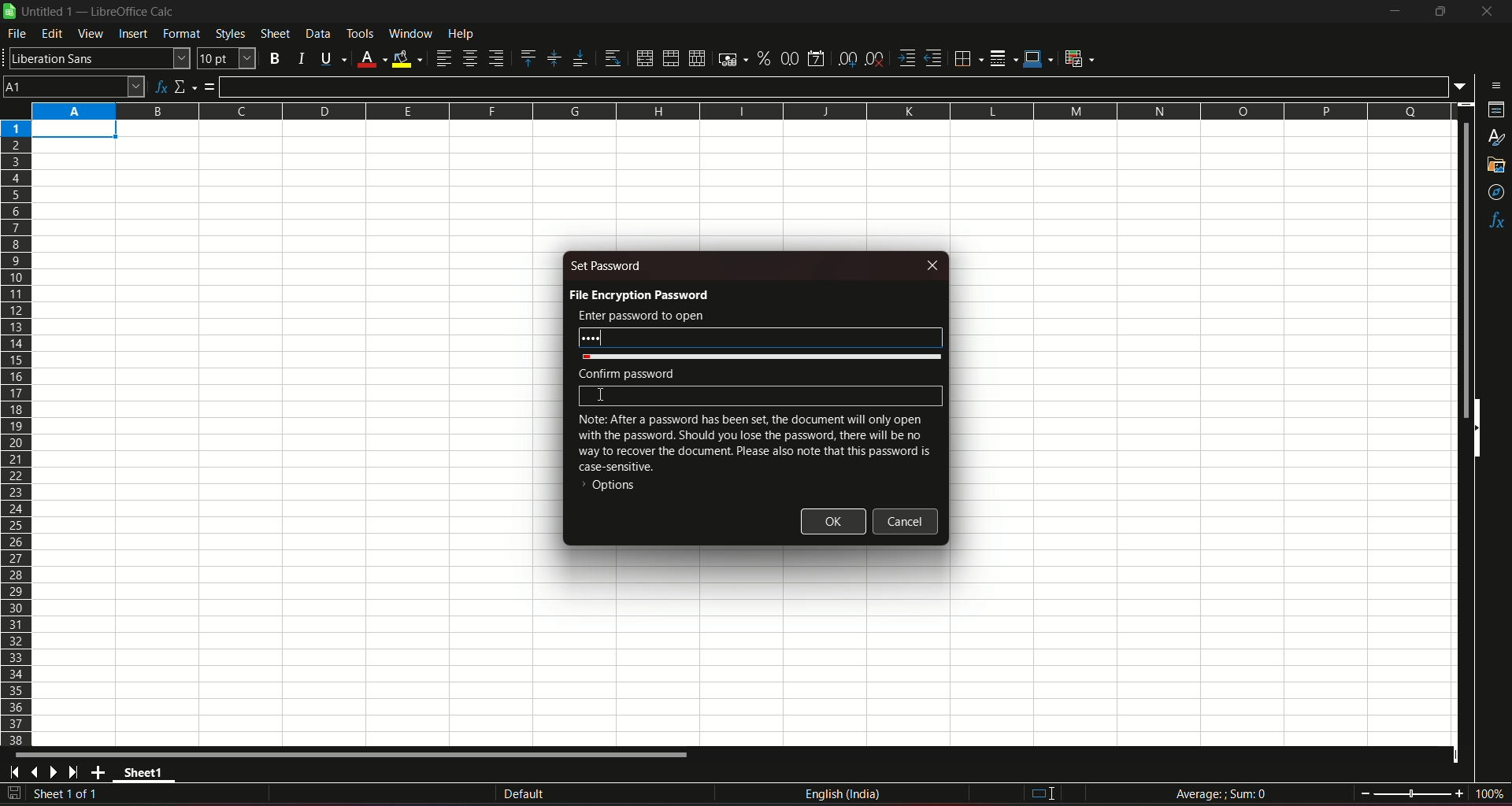 This screenshot has width=1512, height=806. What do you see at coordinates (469, 59) in the screenshot?
I see `align center` at bounding box center [469, 59].